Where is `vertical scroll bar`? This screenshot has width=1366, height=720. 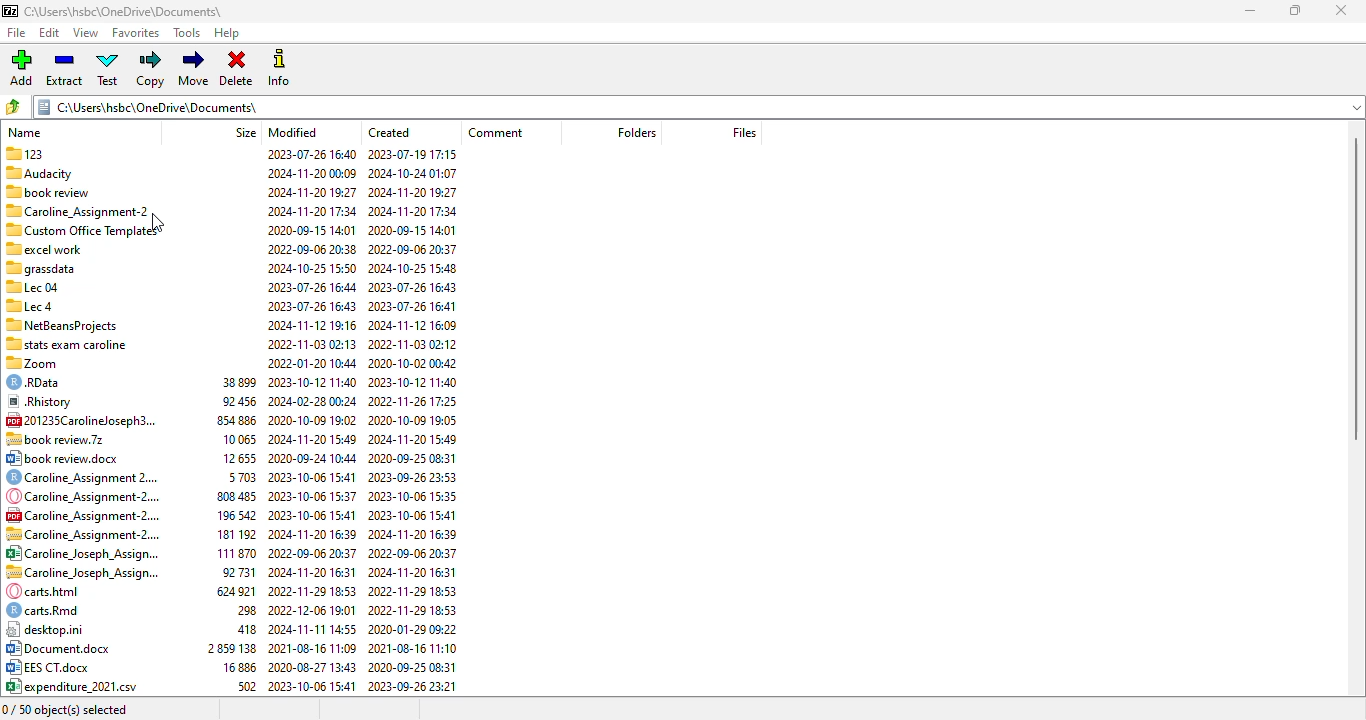 vertical scroll bar is located at coordinates (1357, 287).